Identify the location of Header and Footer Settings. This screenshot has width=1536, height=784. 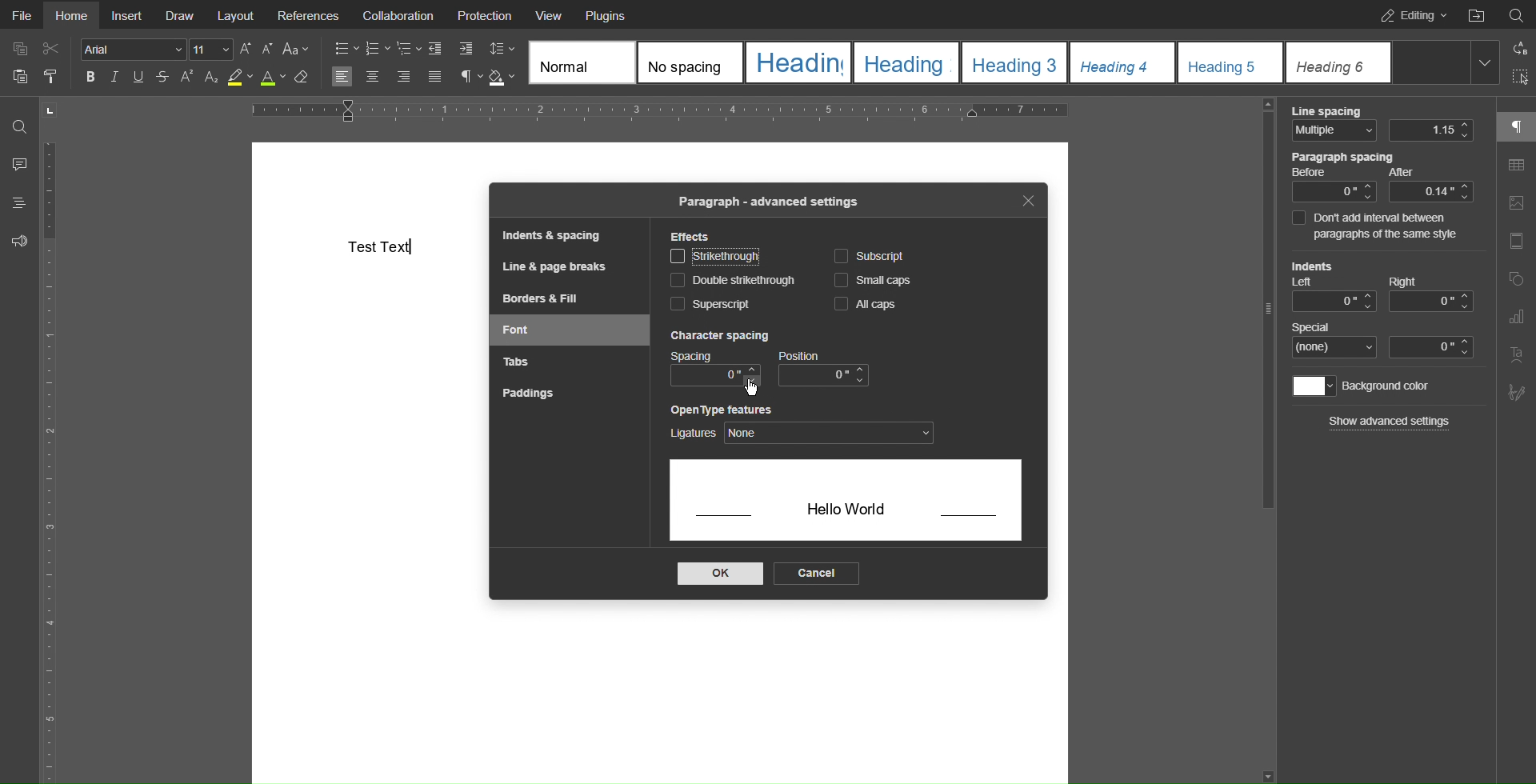
(1514, 243).